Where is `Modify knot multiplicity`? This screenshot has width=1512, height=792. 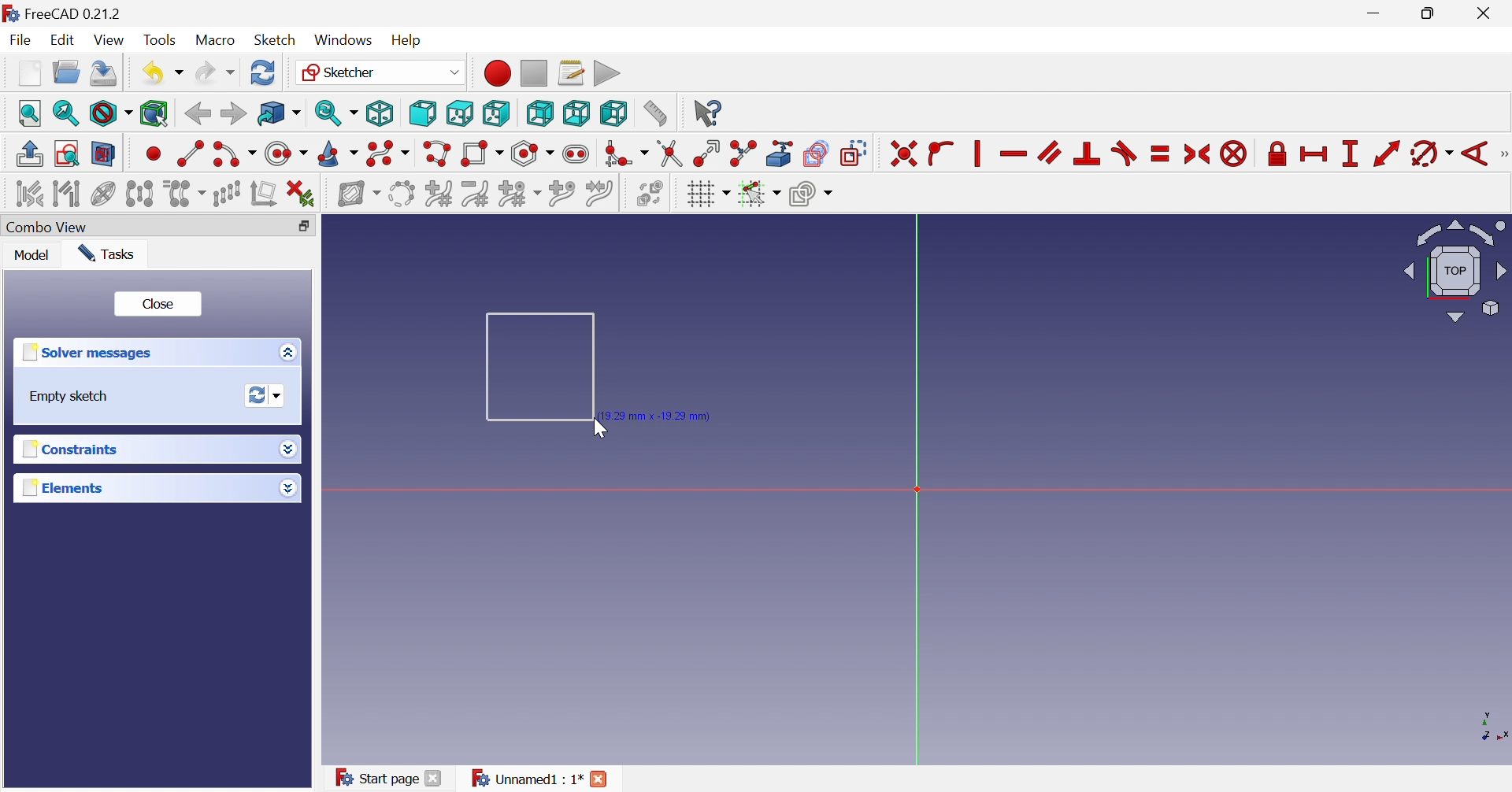 Modify knot multiplicity is located at coordinates (519, 195).